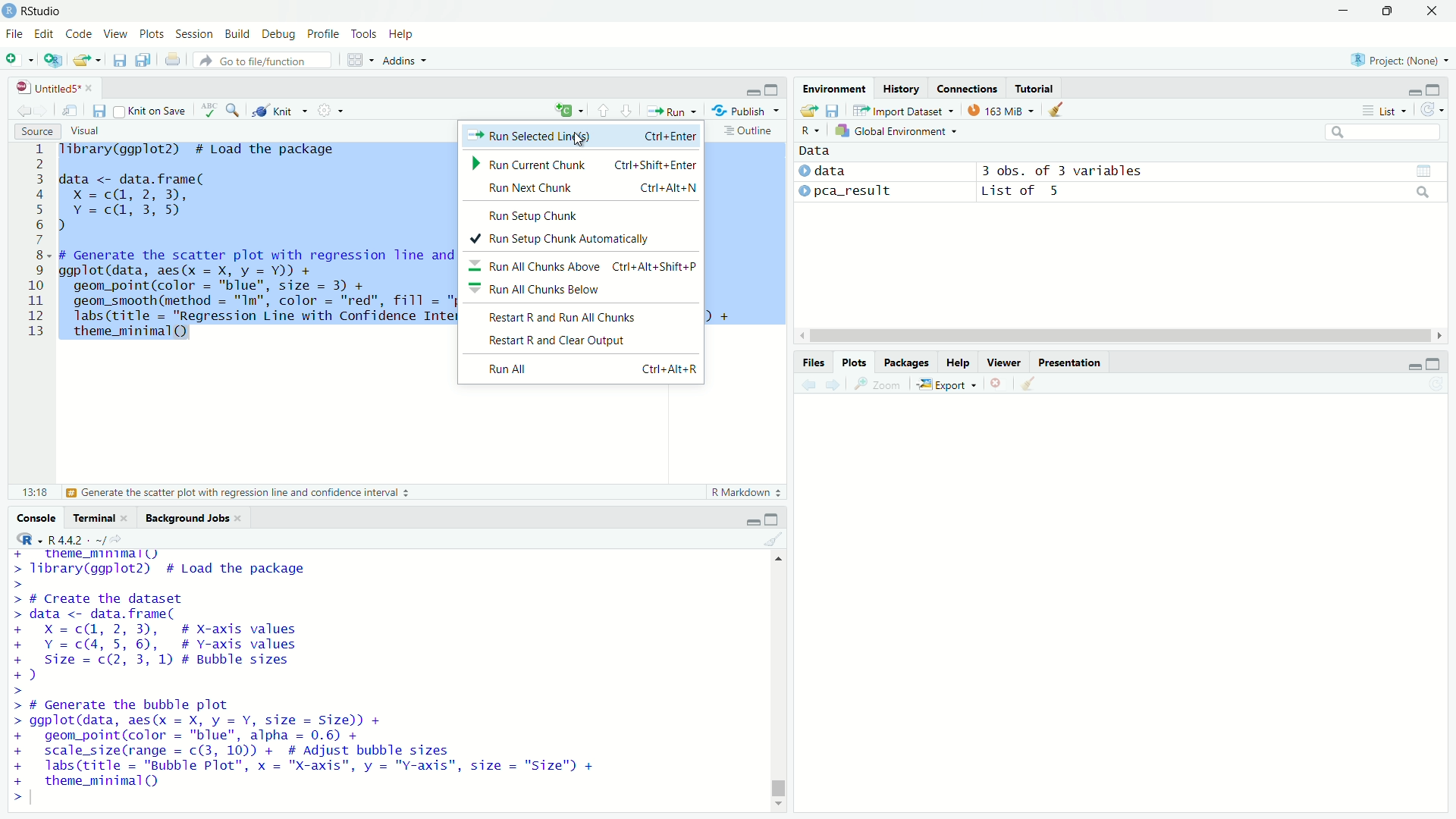 This screenshot has height=819, width=1456. I want to click on Plots, so click(151, 34).